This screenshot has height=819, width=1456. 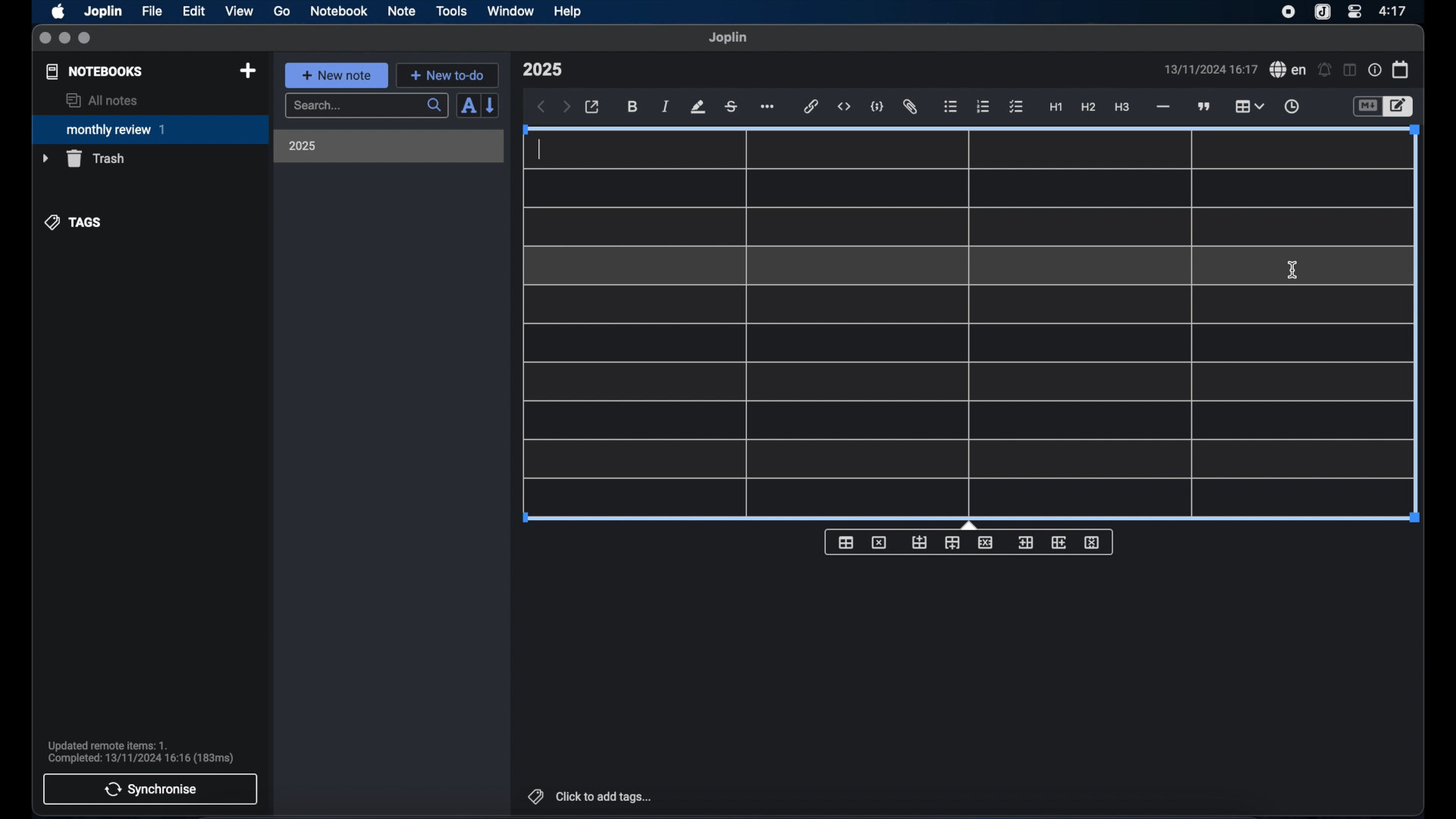 What do you see at coordinates (150, 128) in the screenshot?
I see `monthly review` at bounding box center [150, 128].